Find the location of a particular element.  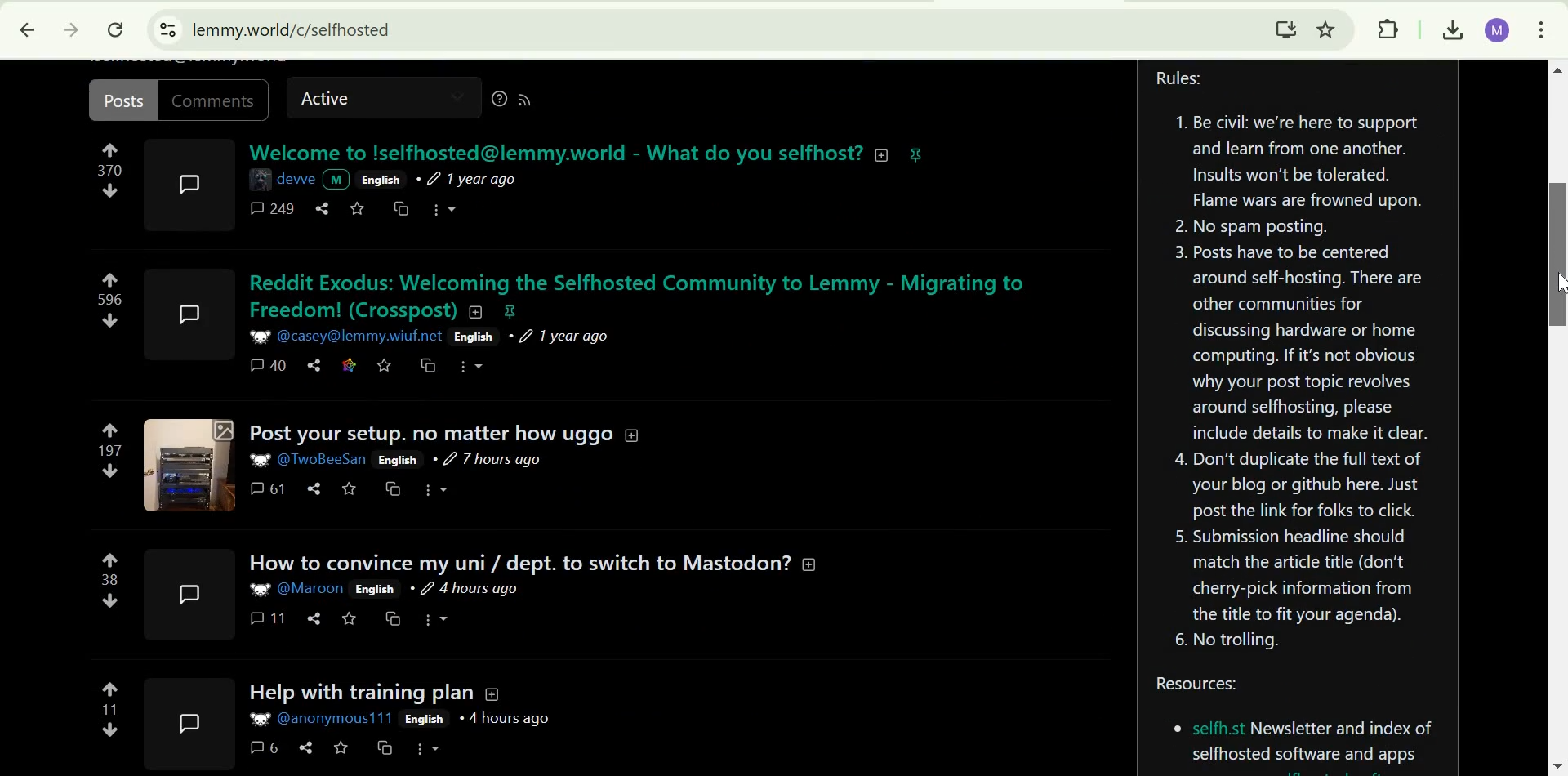

expand here is located at coordinates (185, 594).